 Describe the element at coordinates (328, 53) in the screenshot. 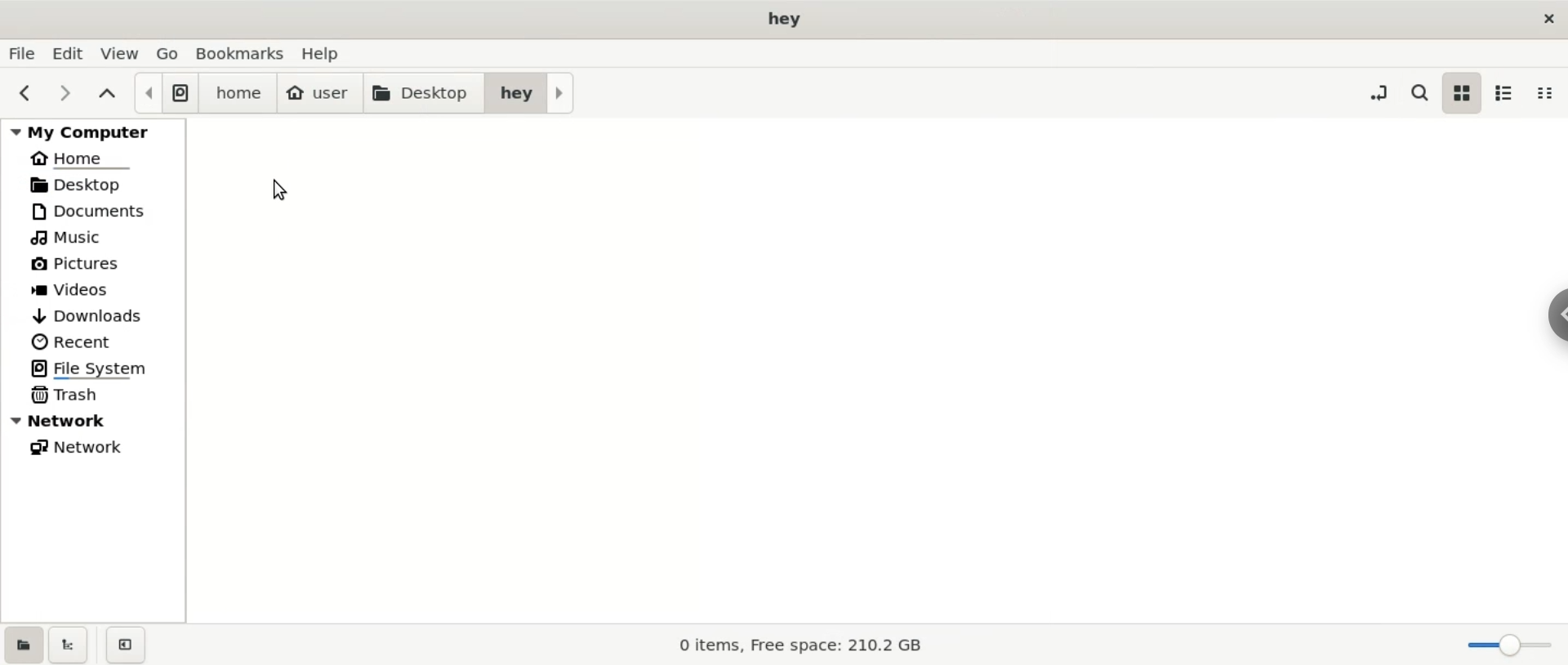

I see `help` at that location.